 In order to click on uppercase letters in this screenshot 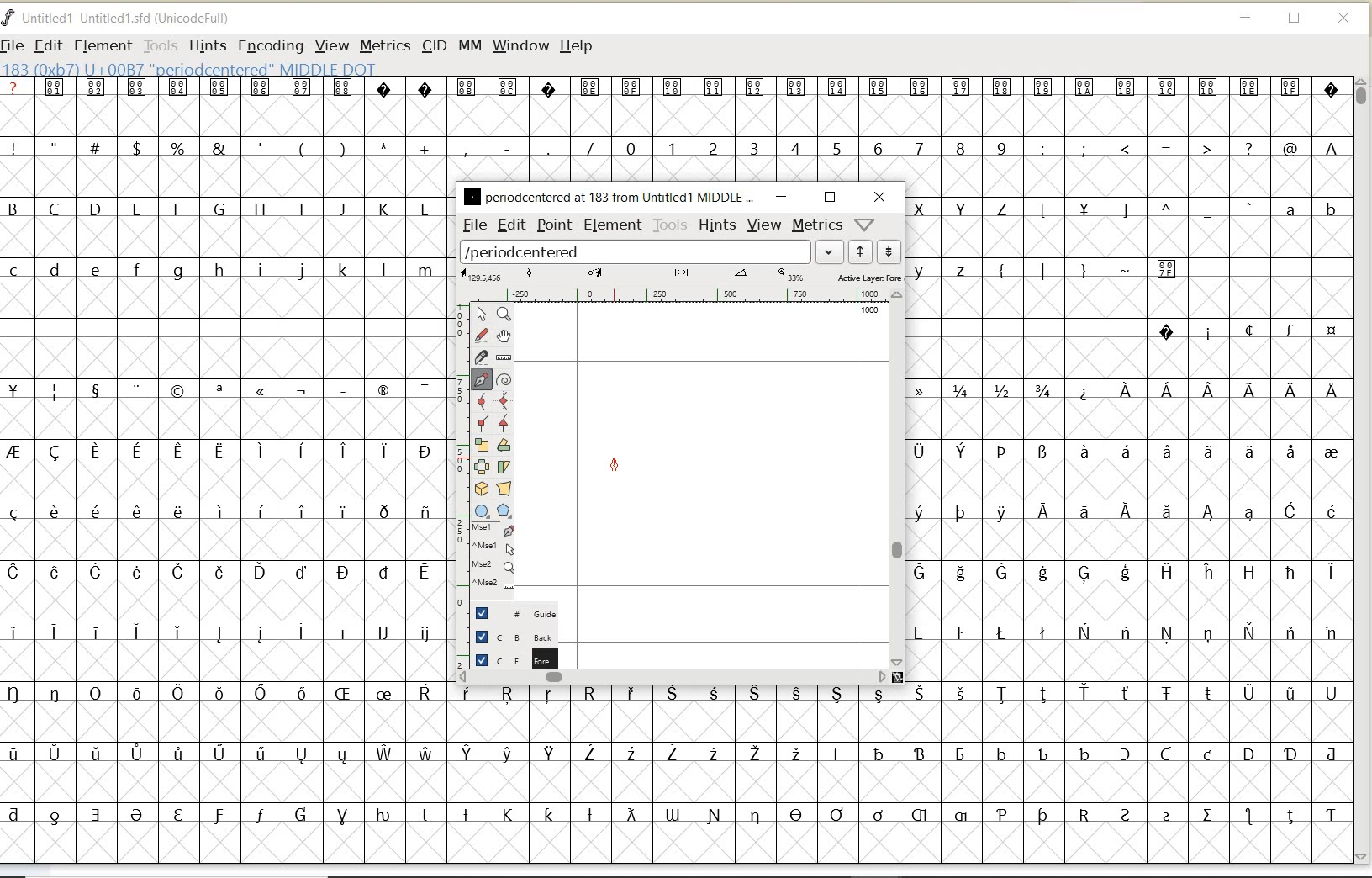, I will do `click(221, 209)`.